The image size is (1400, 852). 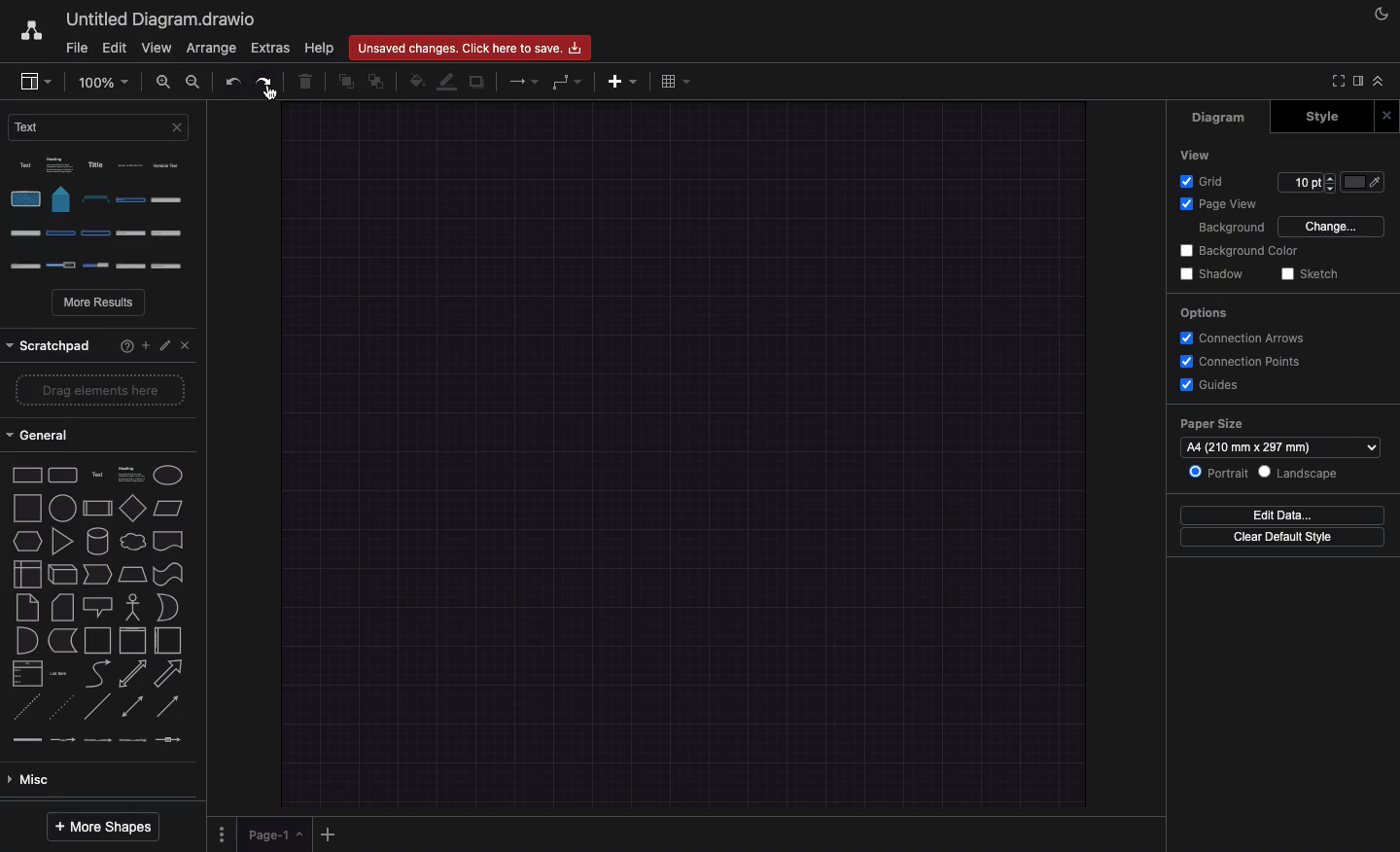 What do you see at coordinates (448, 83) in the screenshot?
I see `Line color` at bounding box center [448, 83].